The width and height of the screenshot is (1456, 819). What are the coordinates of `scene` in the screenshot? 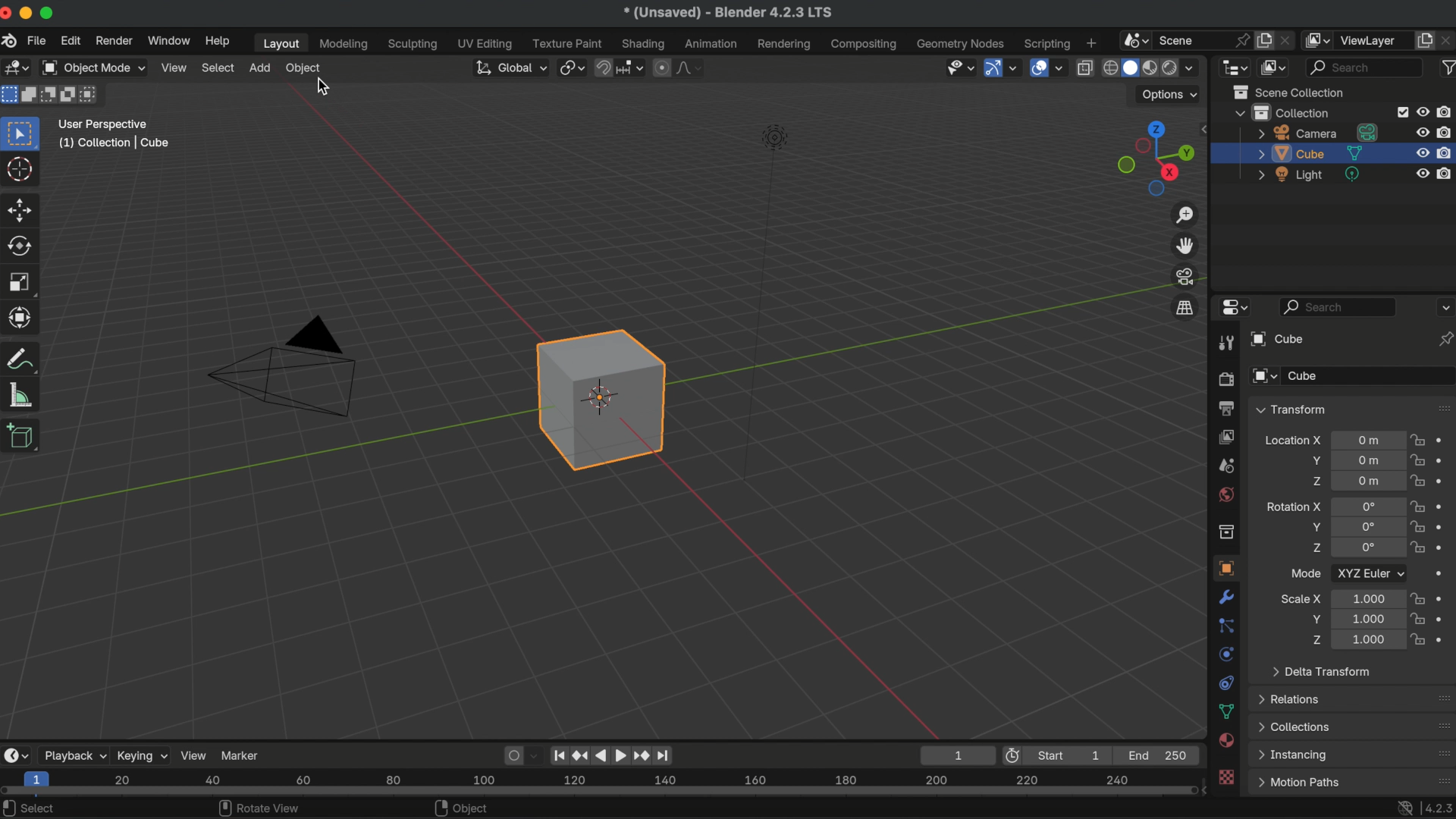 It's located at (1184, 39).